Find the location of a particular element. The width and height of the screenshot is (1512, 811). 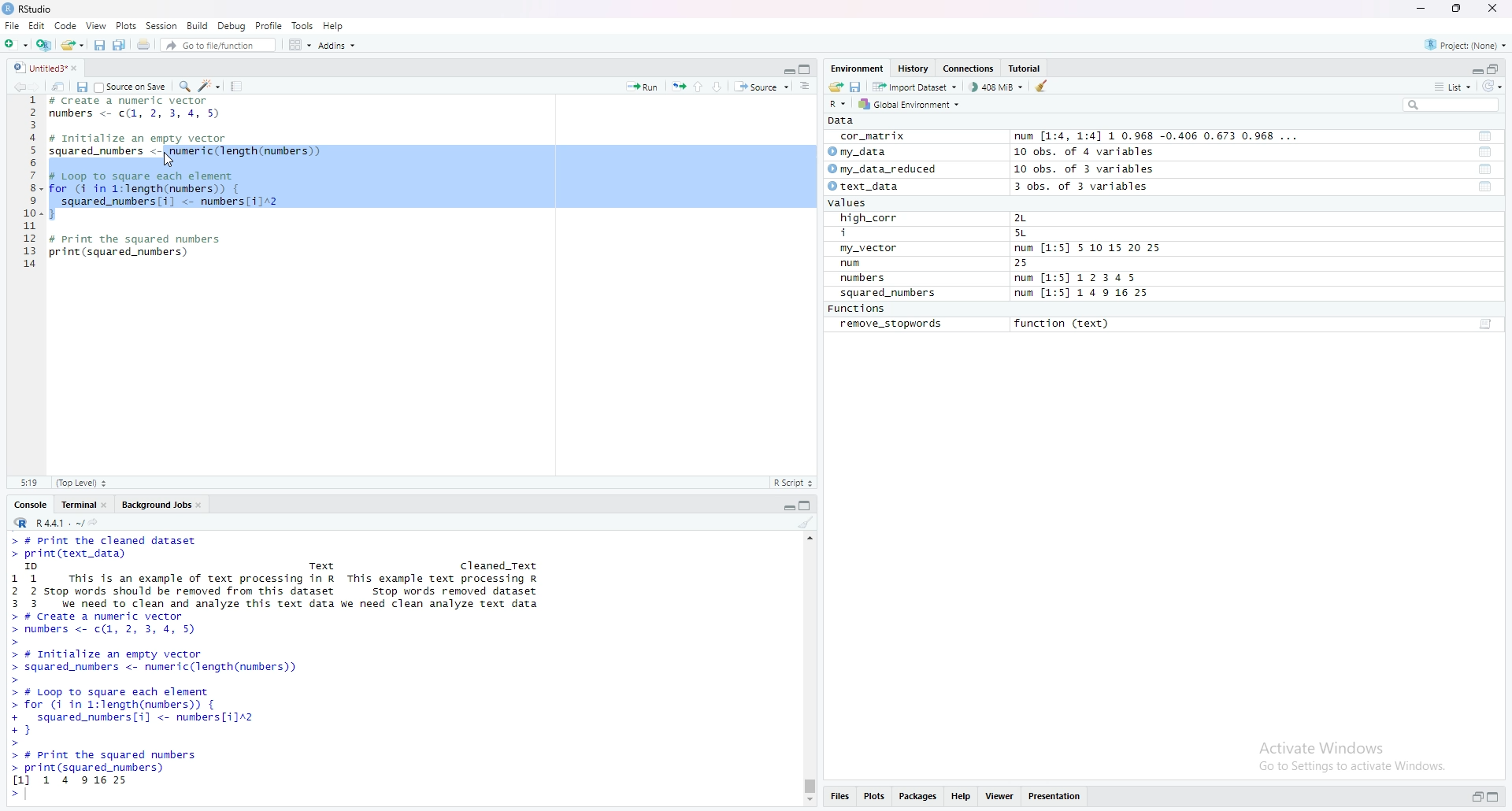

Save All open documents is located at coordinates (120, 43).